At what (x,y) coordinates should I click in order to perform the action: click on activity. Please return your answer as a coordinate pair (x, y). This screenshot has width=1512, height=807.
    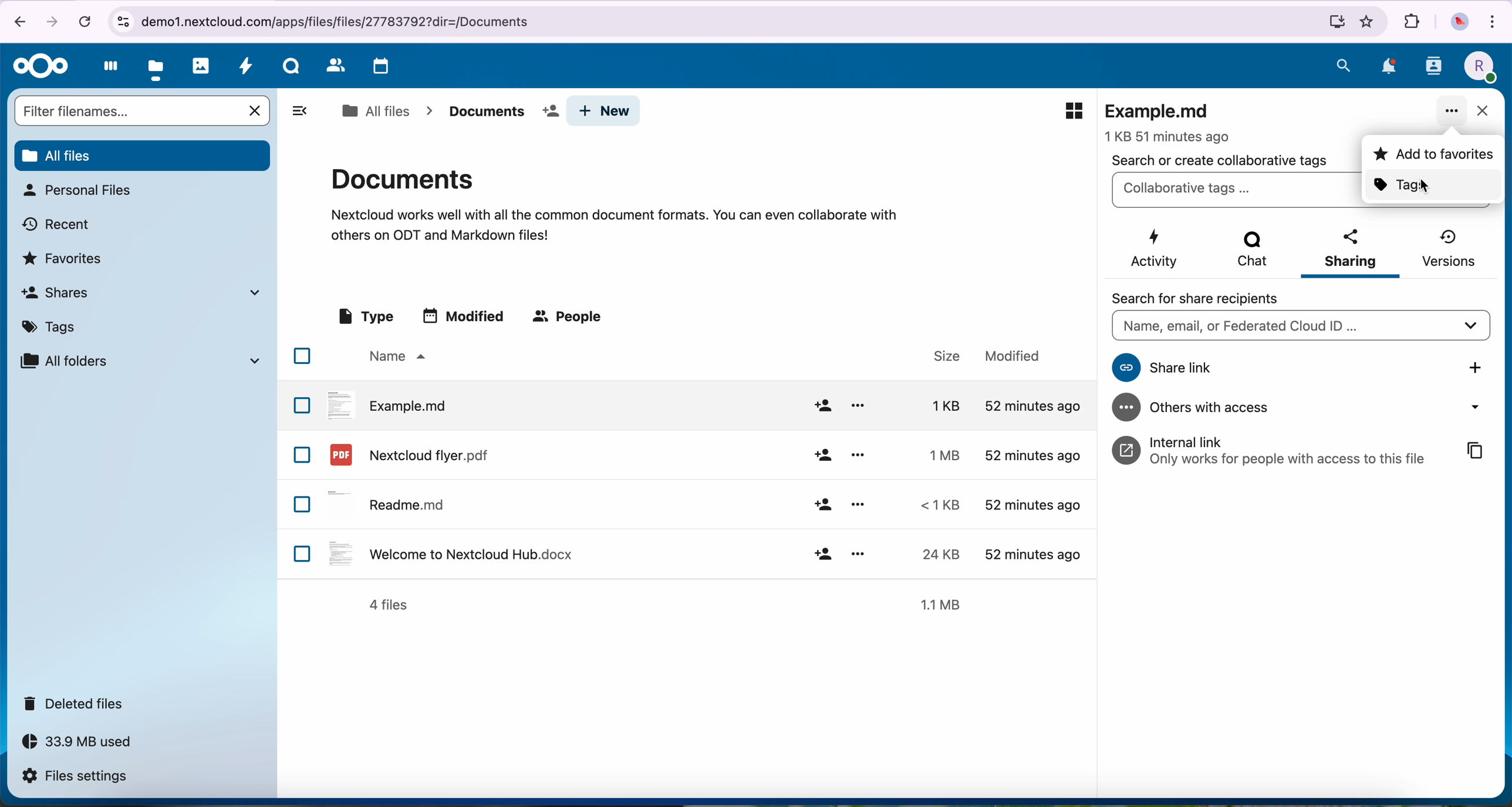
    Looking at the image, I should click on (1156, 249).